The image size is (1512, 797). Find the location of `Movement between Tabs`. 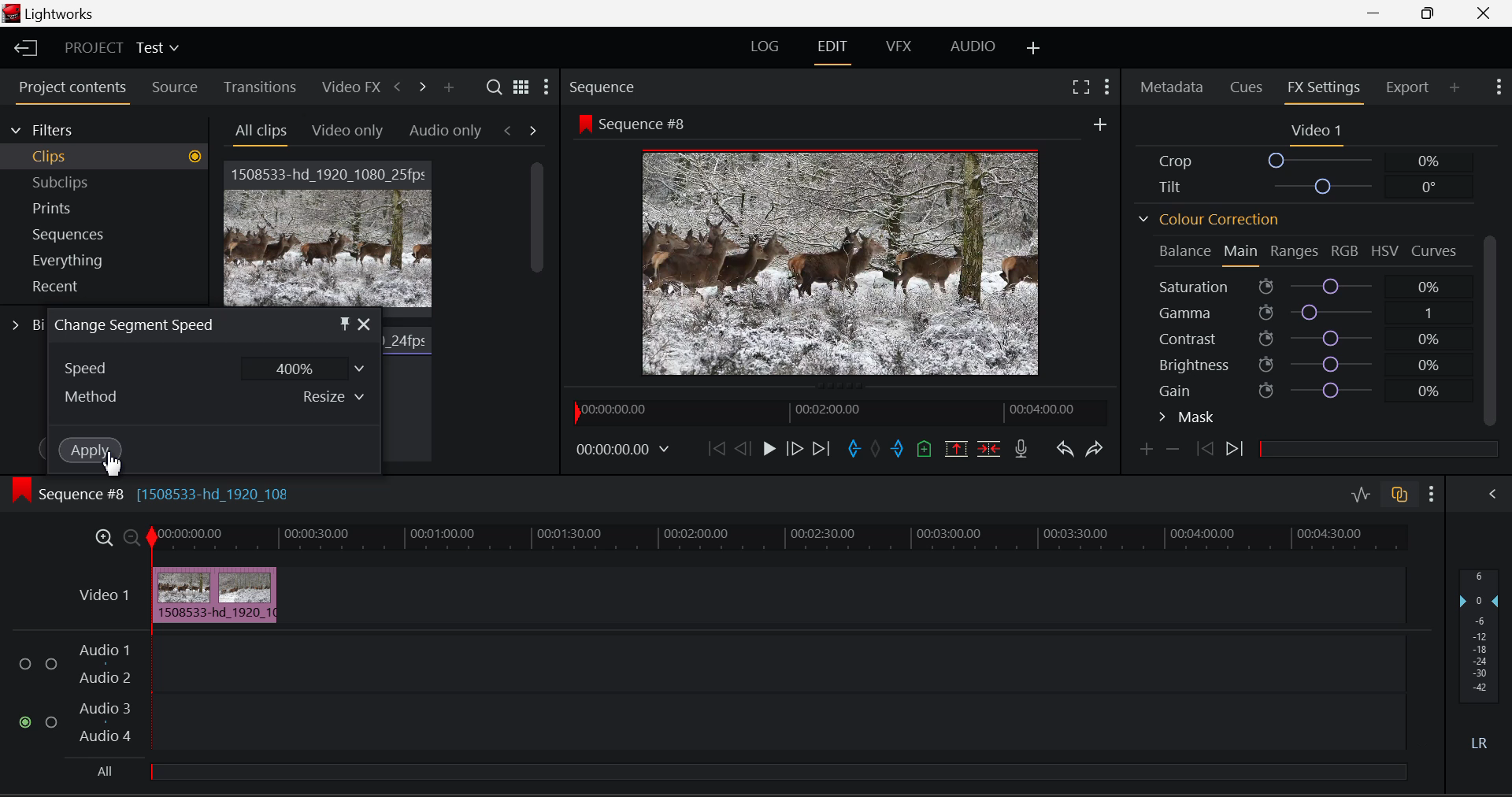

Movement between Tabs is located at coordinates (521, 131).